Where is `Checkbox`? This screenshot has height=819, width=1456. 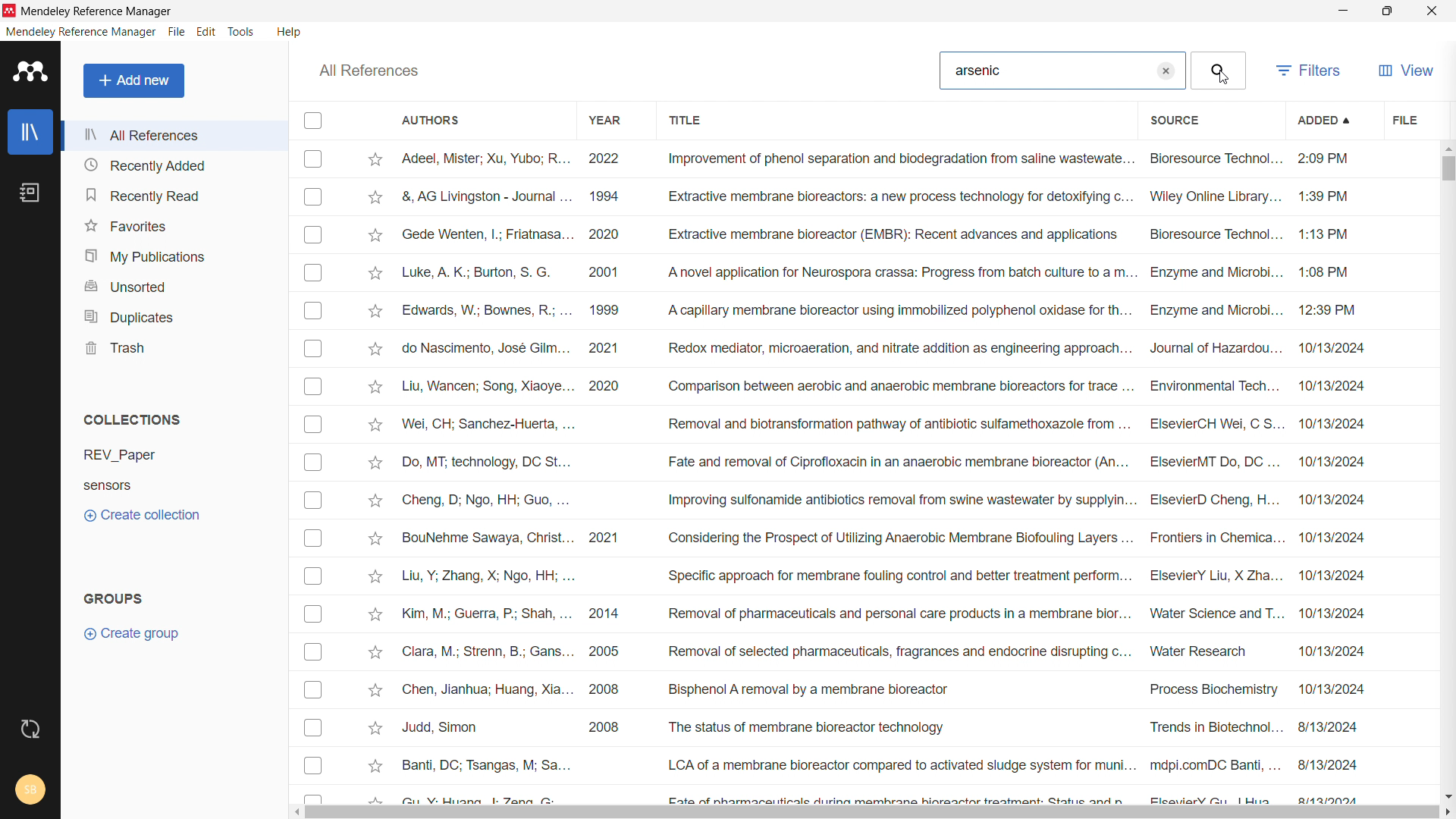 Checkbox is located at coordinates (314, 500).